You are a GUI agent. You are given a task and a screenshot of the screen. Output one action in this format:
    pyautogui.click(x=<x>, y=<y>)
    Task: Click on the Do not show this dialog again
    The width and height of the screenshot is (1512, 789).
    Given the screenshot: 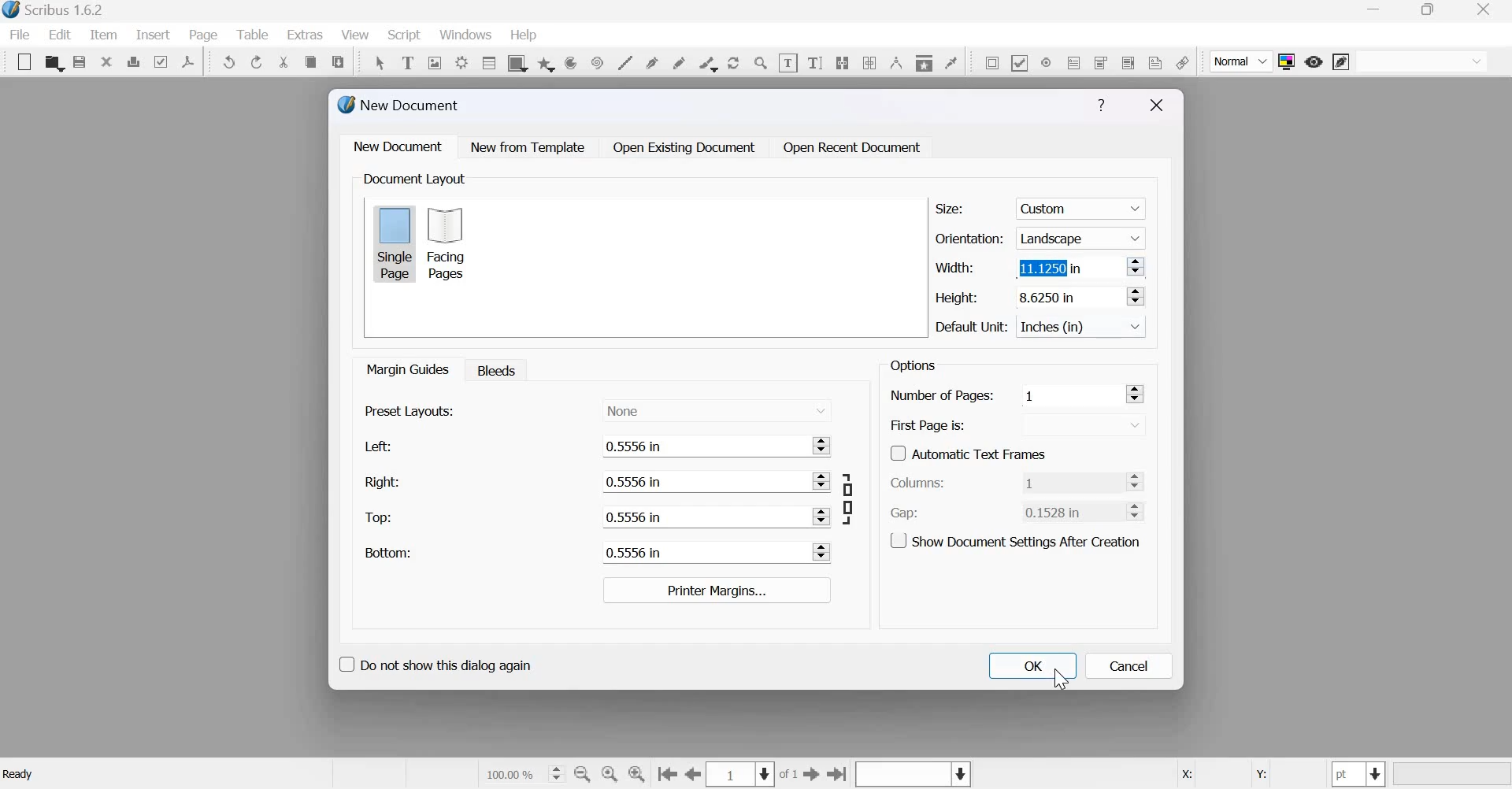 What is the action you would take?
    pyautogui.click(x=434, y=662)
    